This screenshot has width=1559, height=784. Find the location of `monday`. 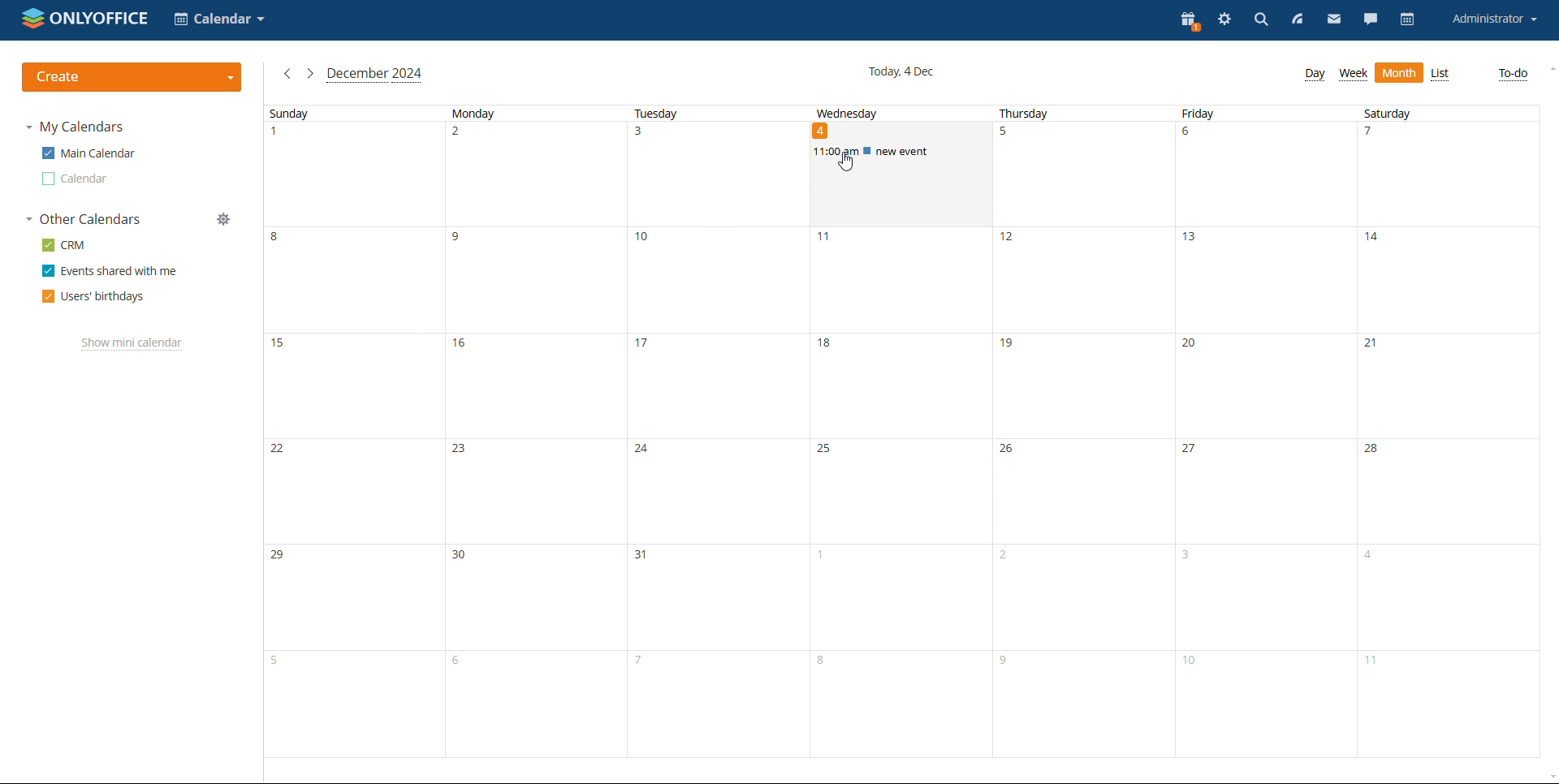

monday is located at coordinates (533, 432).